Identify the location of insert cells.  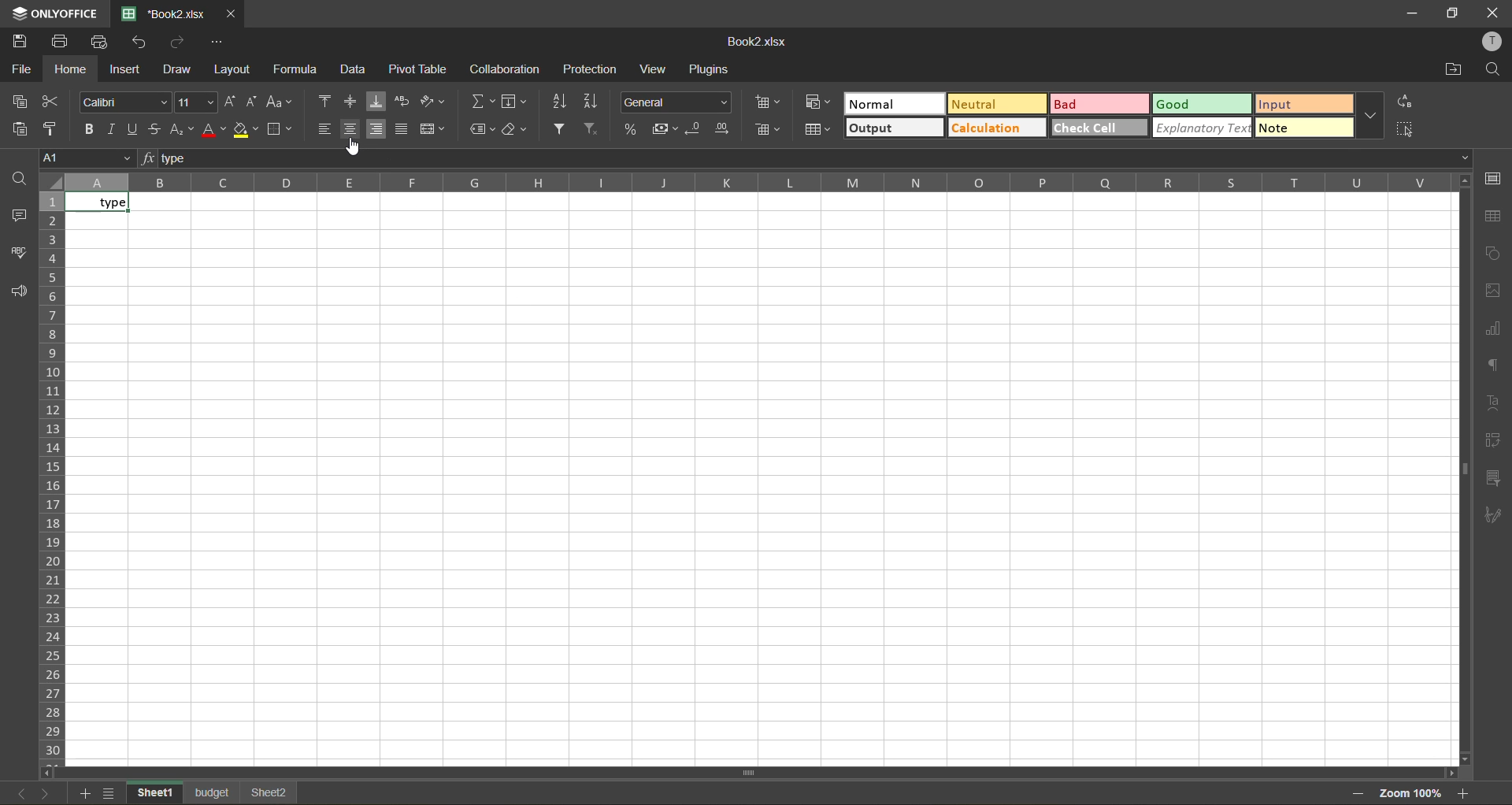
(772, 102).